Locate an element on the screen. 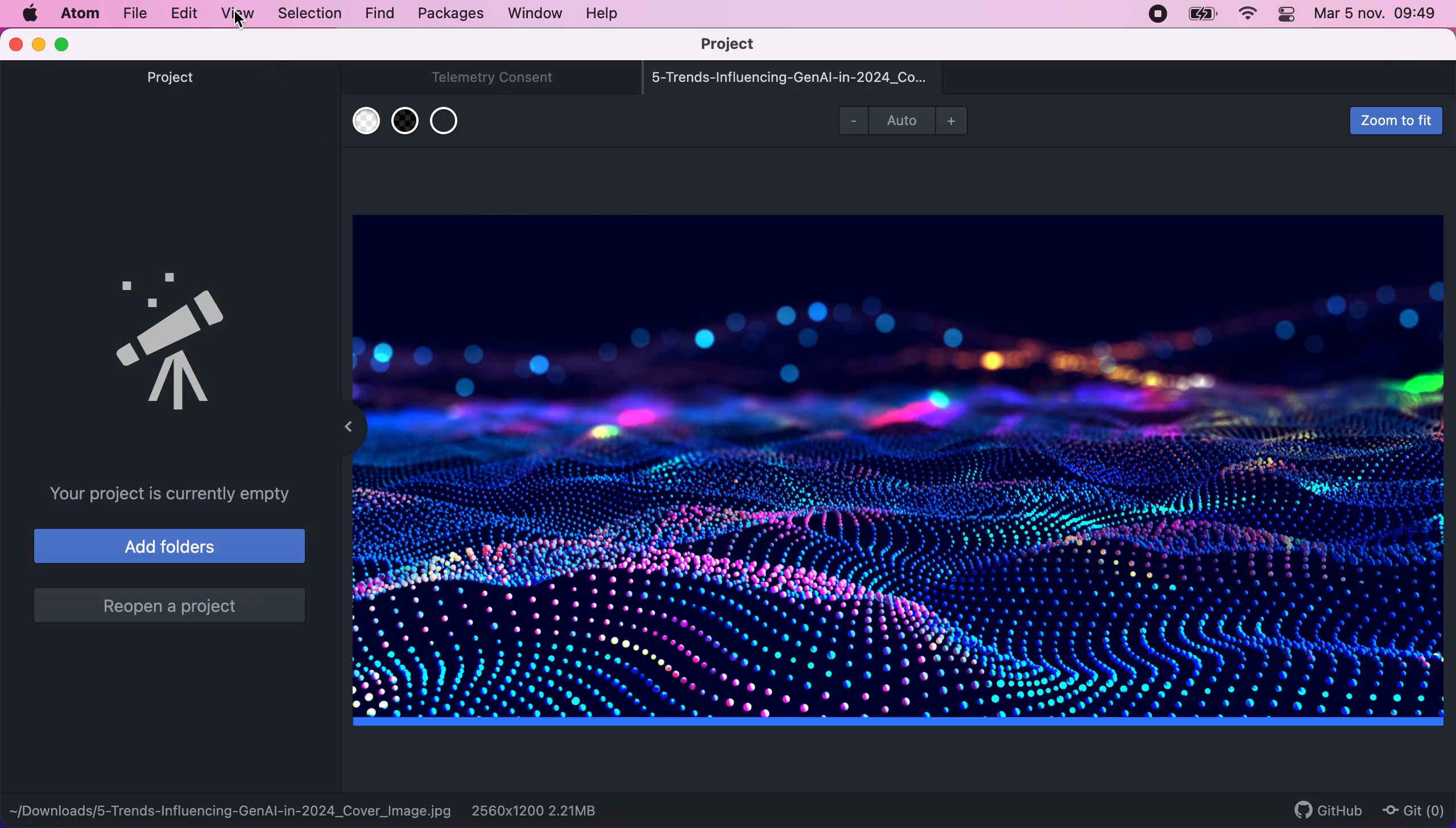  mac logo is located at coordinates (31, 13).